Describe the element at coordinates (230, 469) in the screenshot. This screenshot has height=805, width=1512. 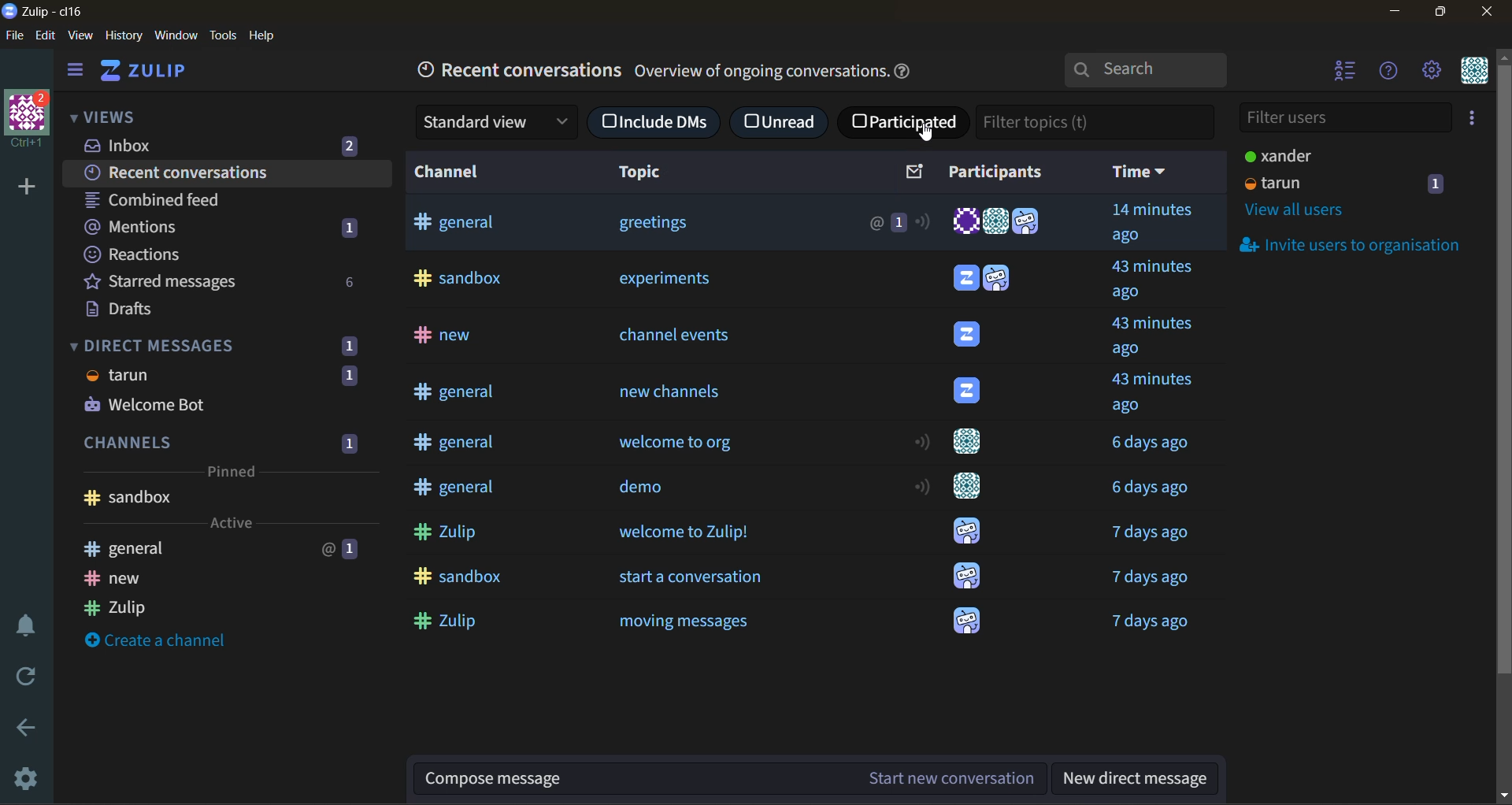
I see `pinned` at that location.